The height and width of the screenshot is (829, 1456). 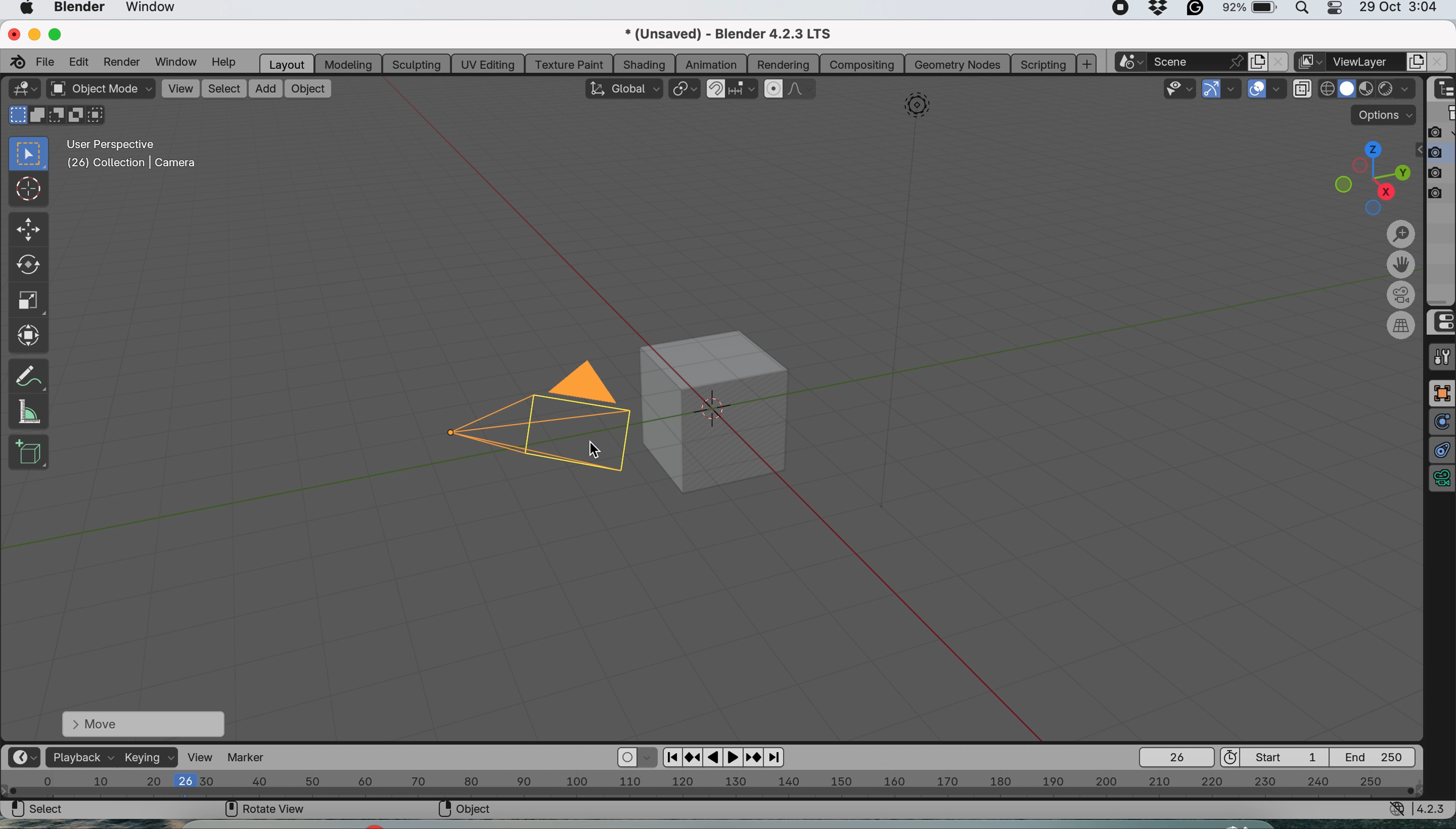 I want to click on add cube, so click(x=29, y=452).